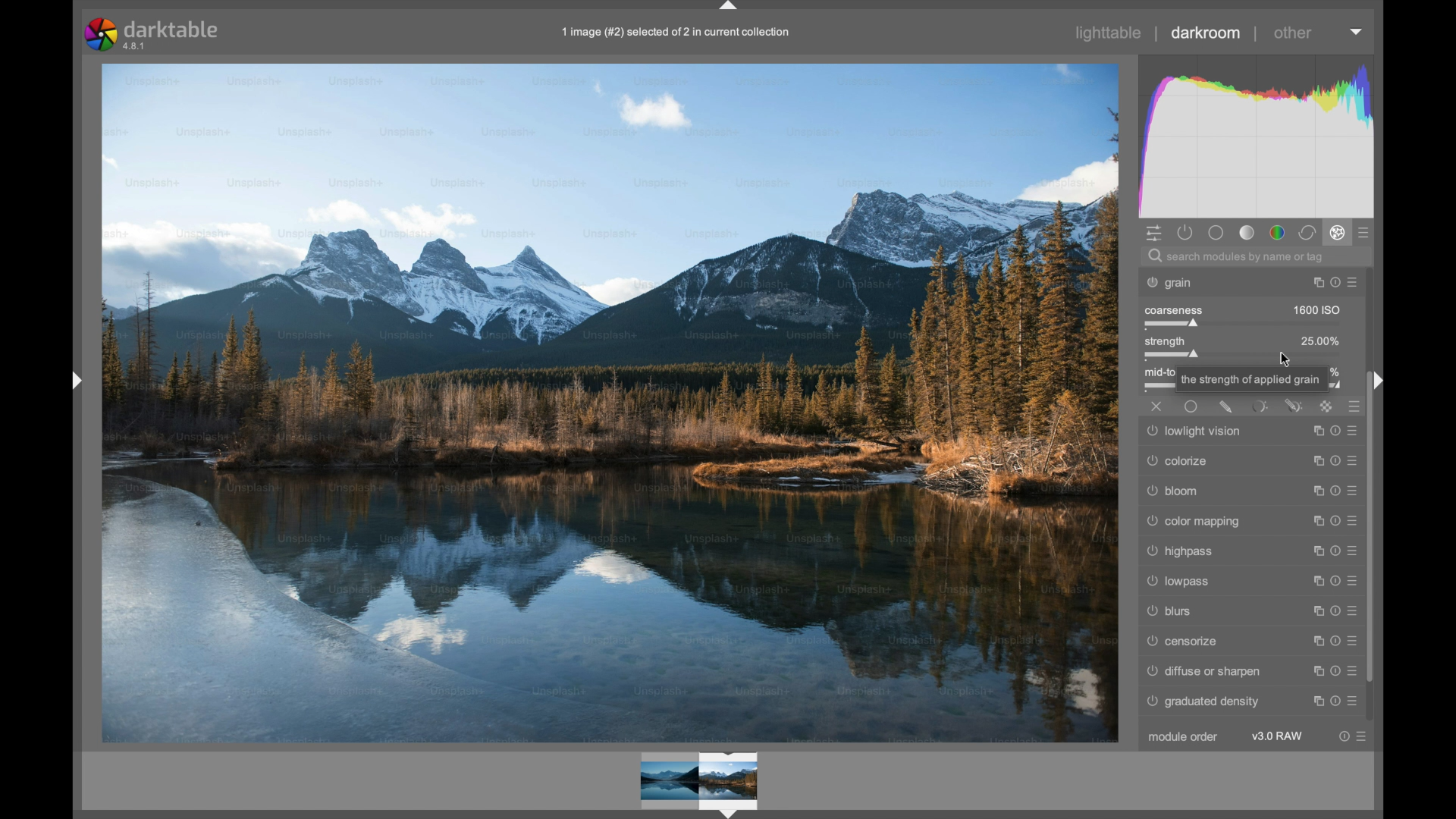  Describe the element at coordinates (1206, 32) in the screenshot. I see `darkroom` at that location.